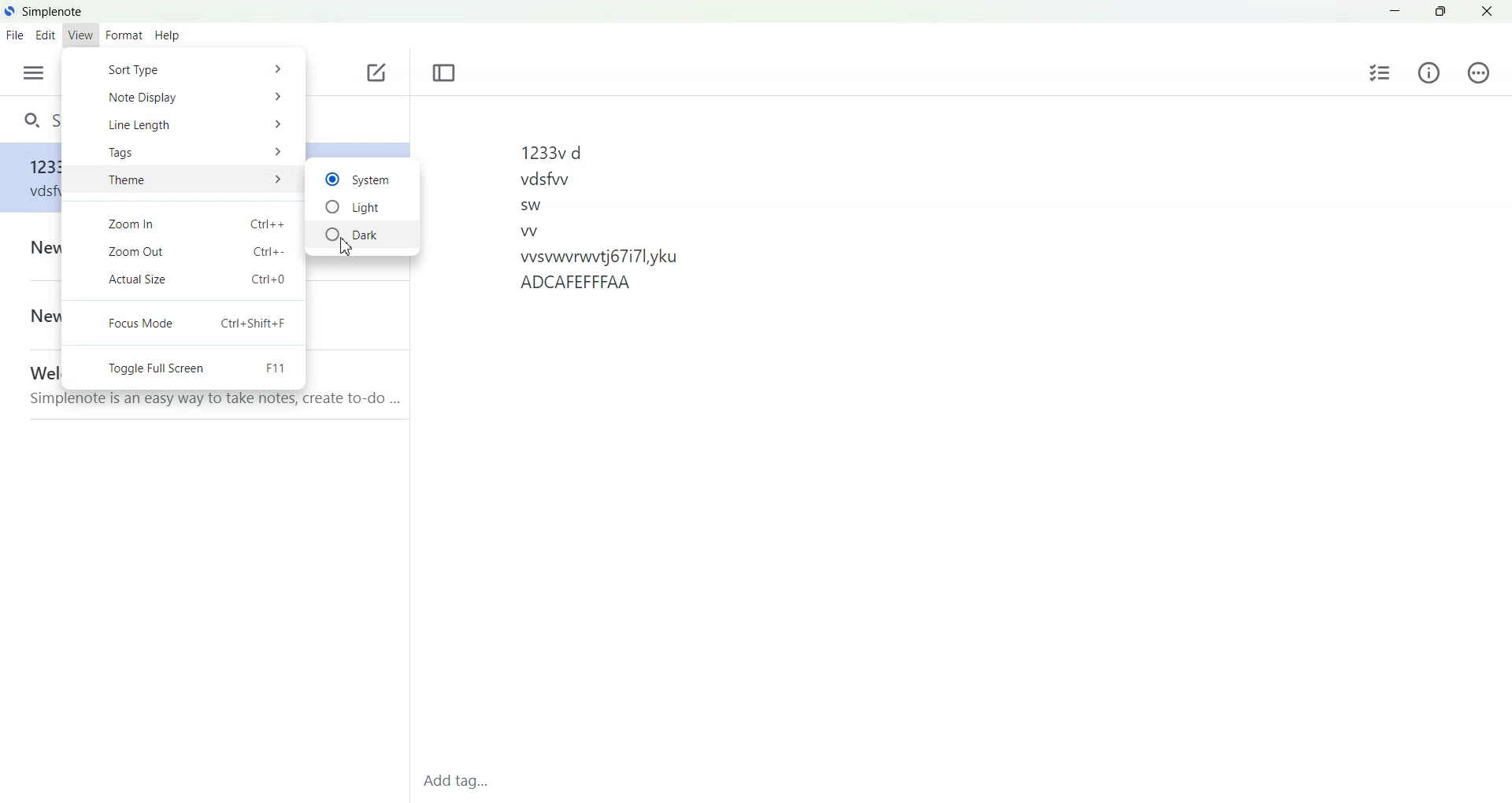 Image resolution: width=1512 pixels, height=803 pixels. Describe the element at coordinates (123, 36) in the screenshot. I see `Format` at that location.